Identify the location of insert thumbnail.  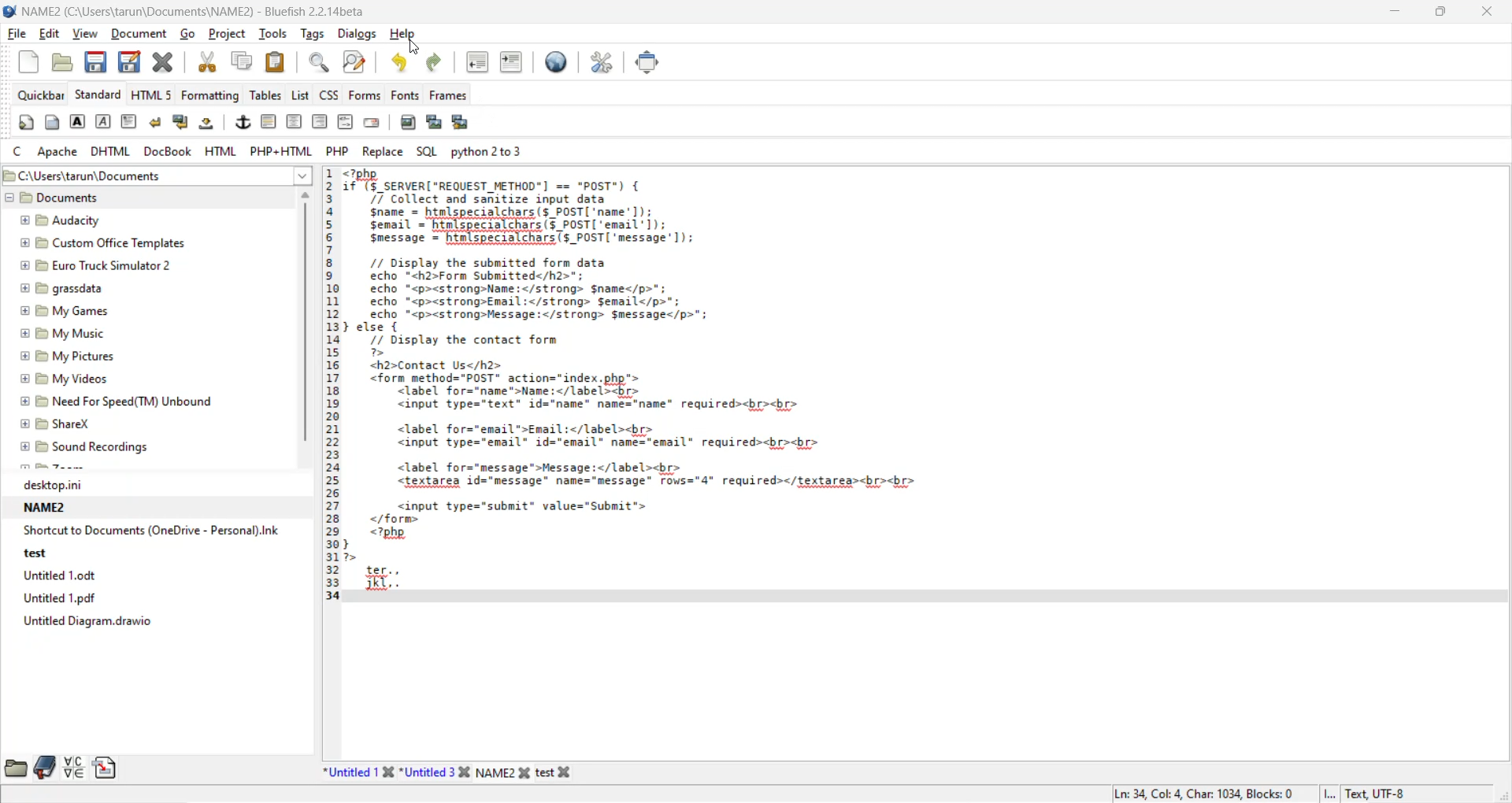
(463, 122).